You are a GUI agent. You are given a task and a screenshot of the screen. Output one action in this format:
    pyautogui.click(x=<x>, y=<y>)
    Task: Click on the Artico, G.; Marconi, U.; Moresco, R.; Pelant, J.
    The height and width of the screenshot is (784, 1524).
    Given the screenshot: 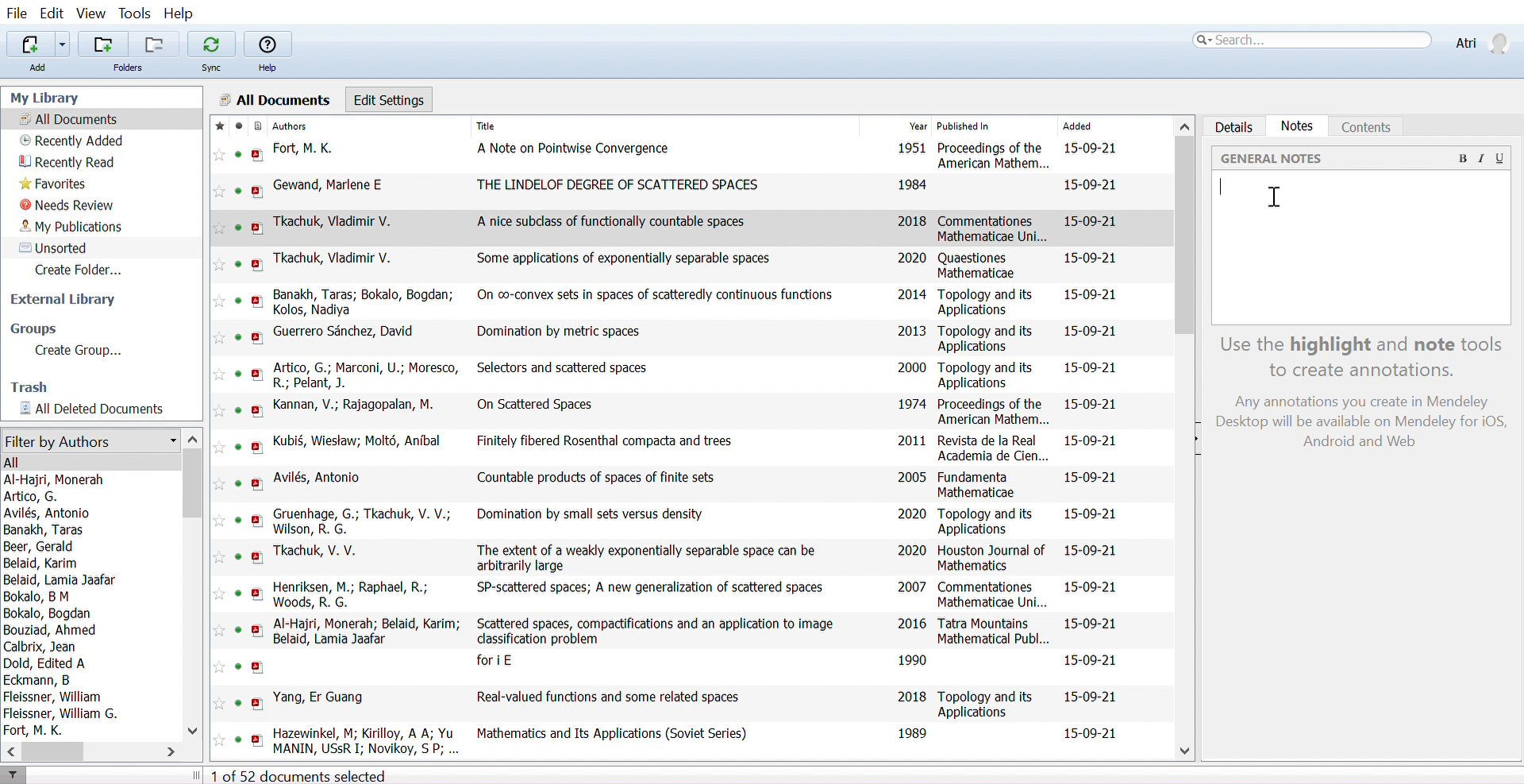 What is the action you would take?
    pyautogui.click(x=366, y=374)
    